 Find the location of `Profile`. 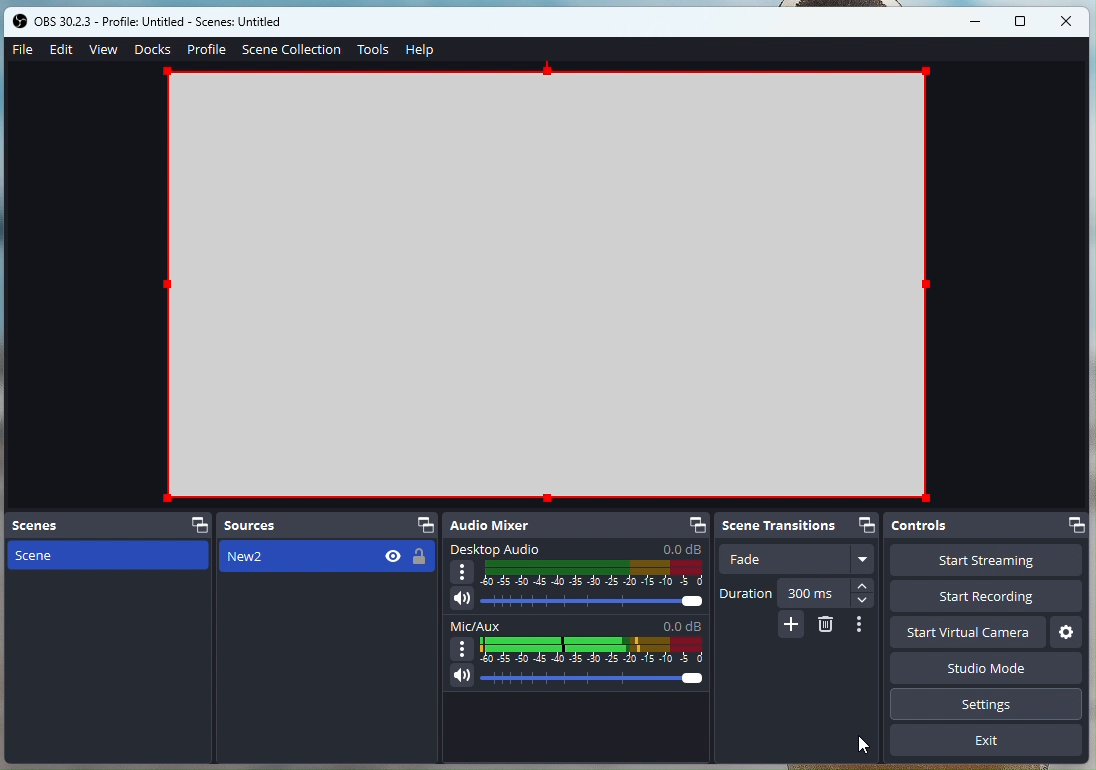

Profile is located at coordinates (208, 49).